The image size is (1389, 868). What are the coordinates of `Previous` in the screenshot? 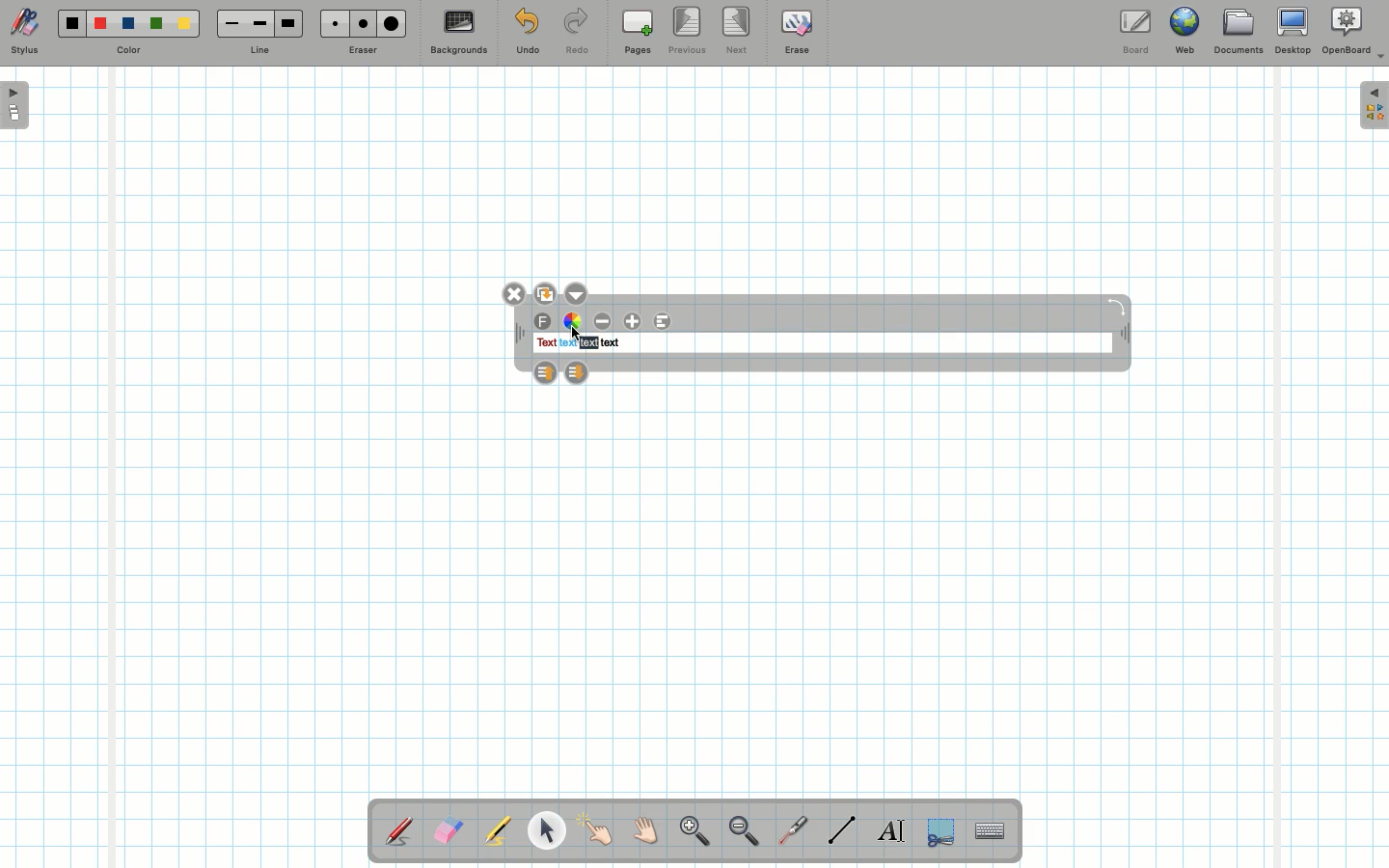 It's located at (689, 32).